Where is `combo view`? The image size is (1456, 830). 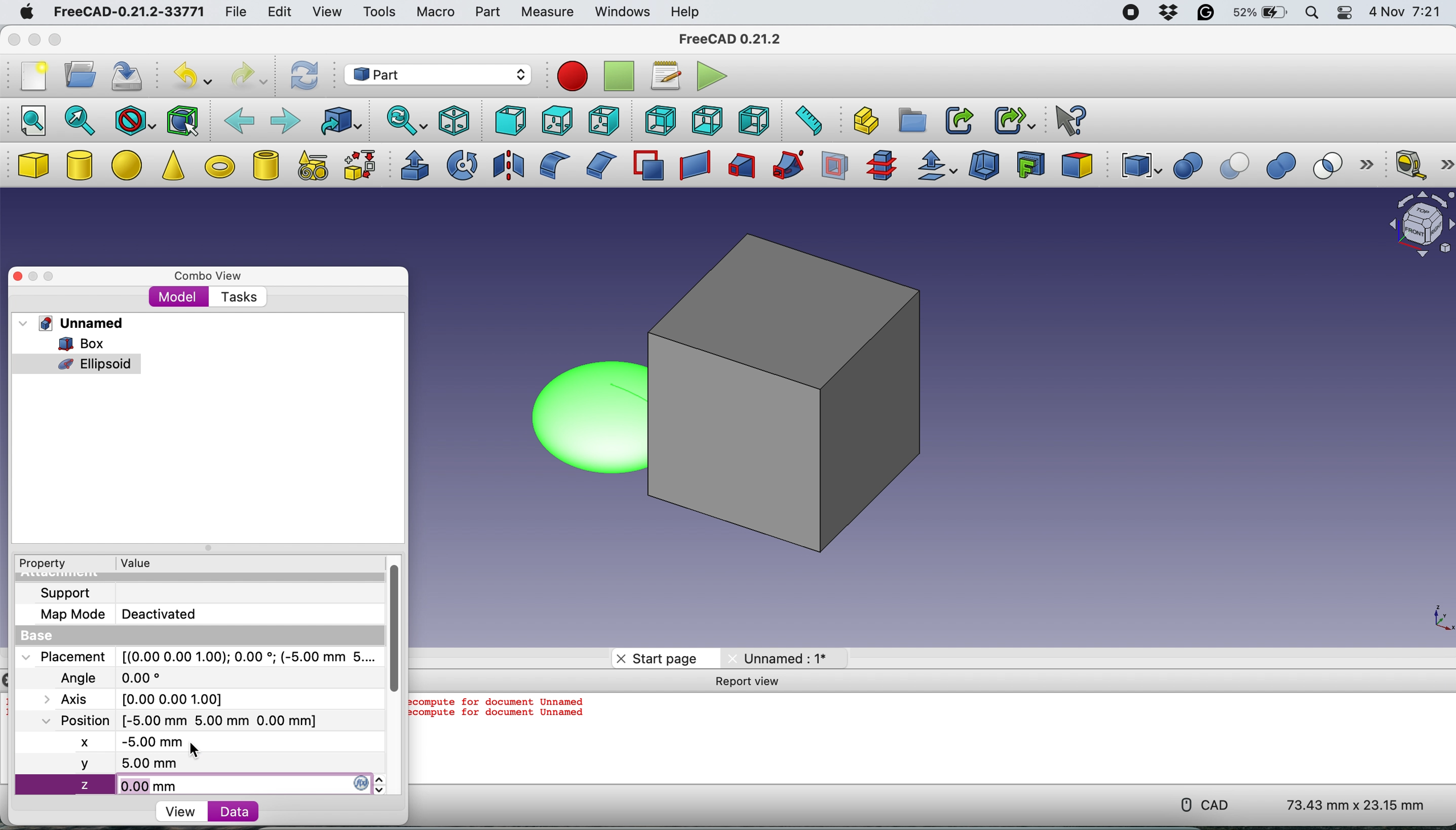
combo view is located at coordinates (204, 272).